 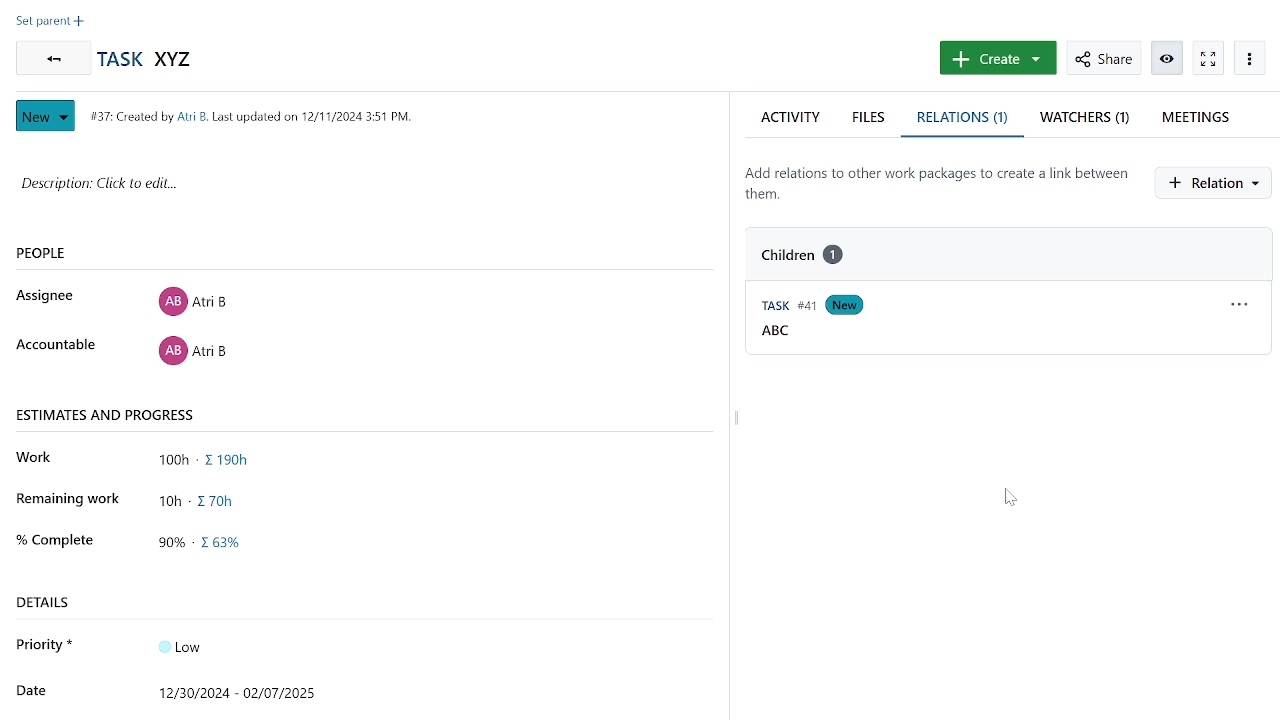 What do you see at coordinates (54, 538) in the screenshot?
I see `complete` at bounding box center [54, 538].